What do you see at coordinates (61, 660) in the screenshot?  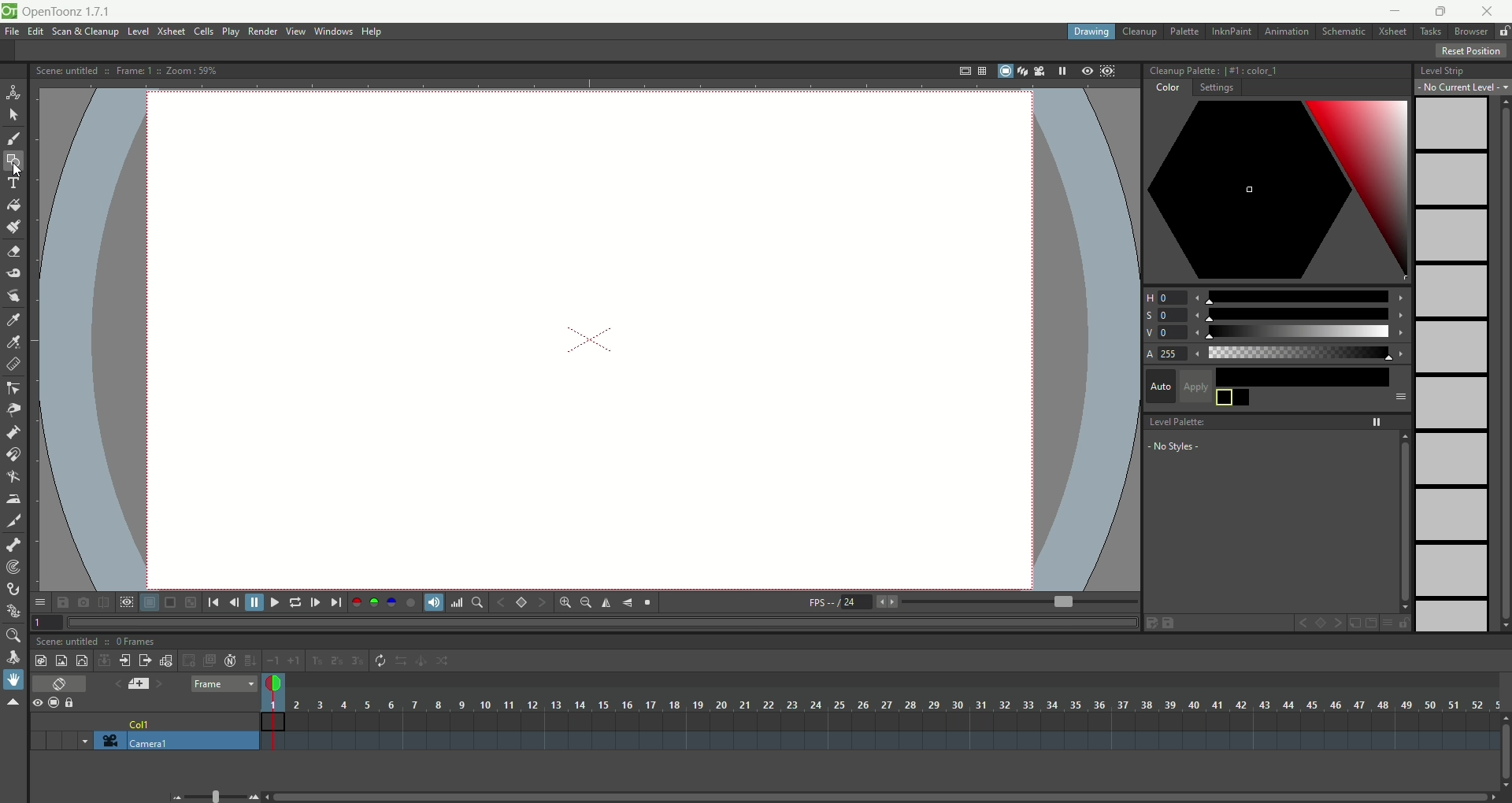 I see `new raster level` at bounding box center [61, 660].